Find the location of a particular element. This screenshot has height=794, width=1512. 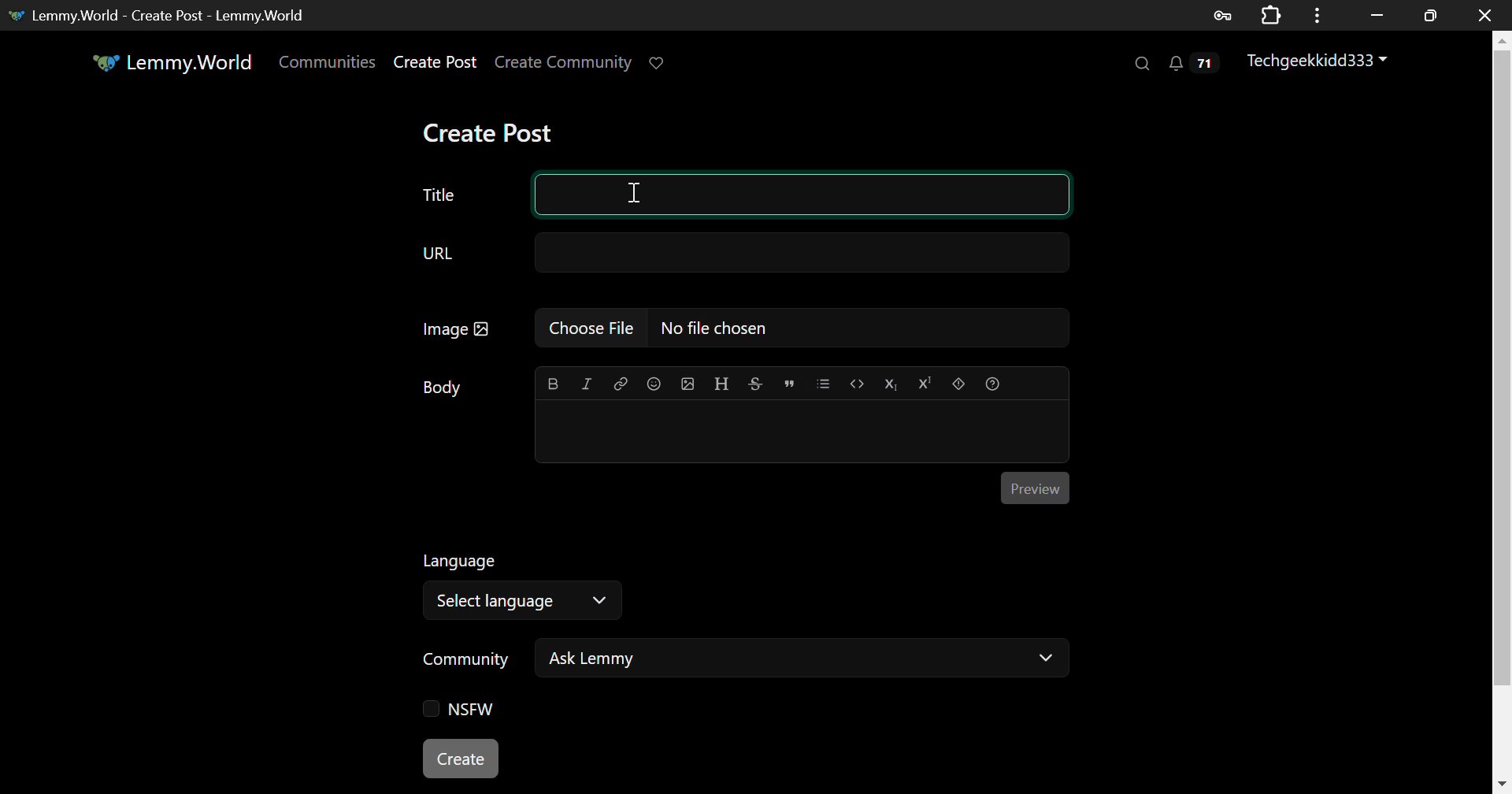

Lemmy.World is located at coordinates (175, 62).